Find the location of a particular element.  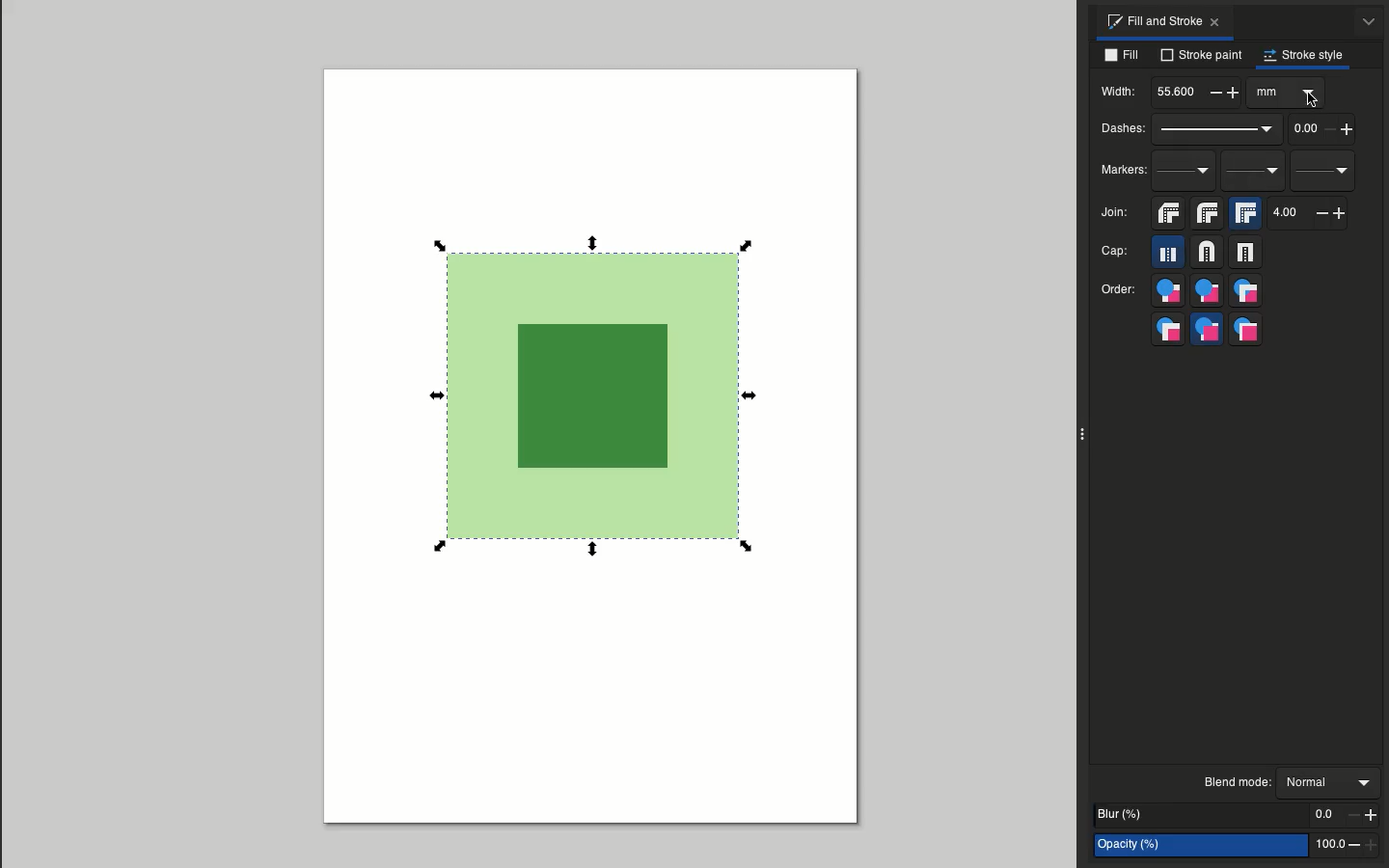

Mid markers is located at coordinates (1255, 172).